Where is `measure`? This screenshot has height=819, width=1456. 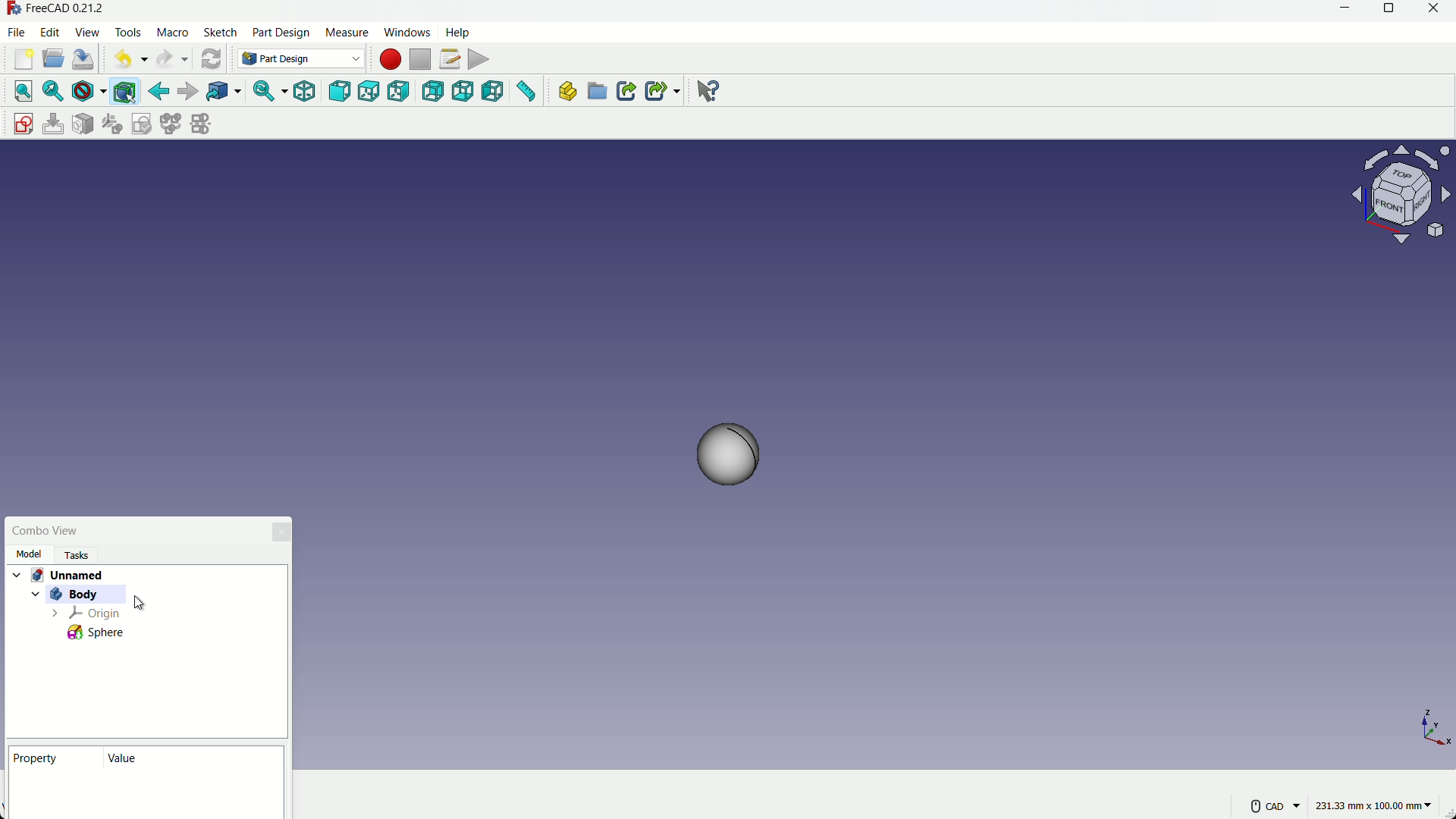 measure is located at coordinates (526, 92).